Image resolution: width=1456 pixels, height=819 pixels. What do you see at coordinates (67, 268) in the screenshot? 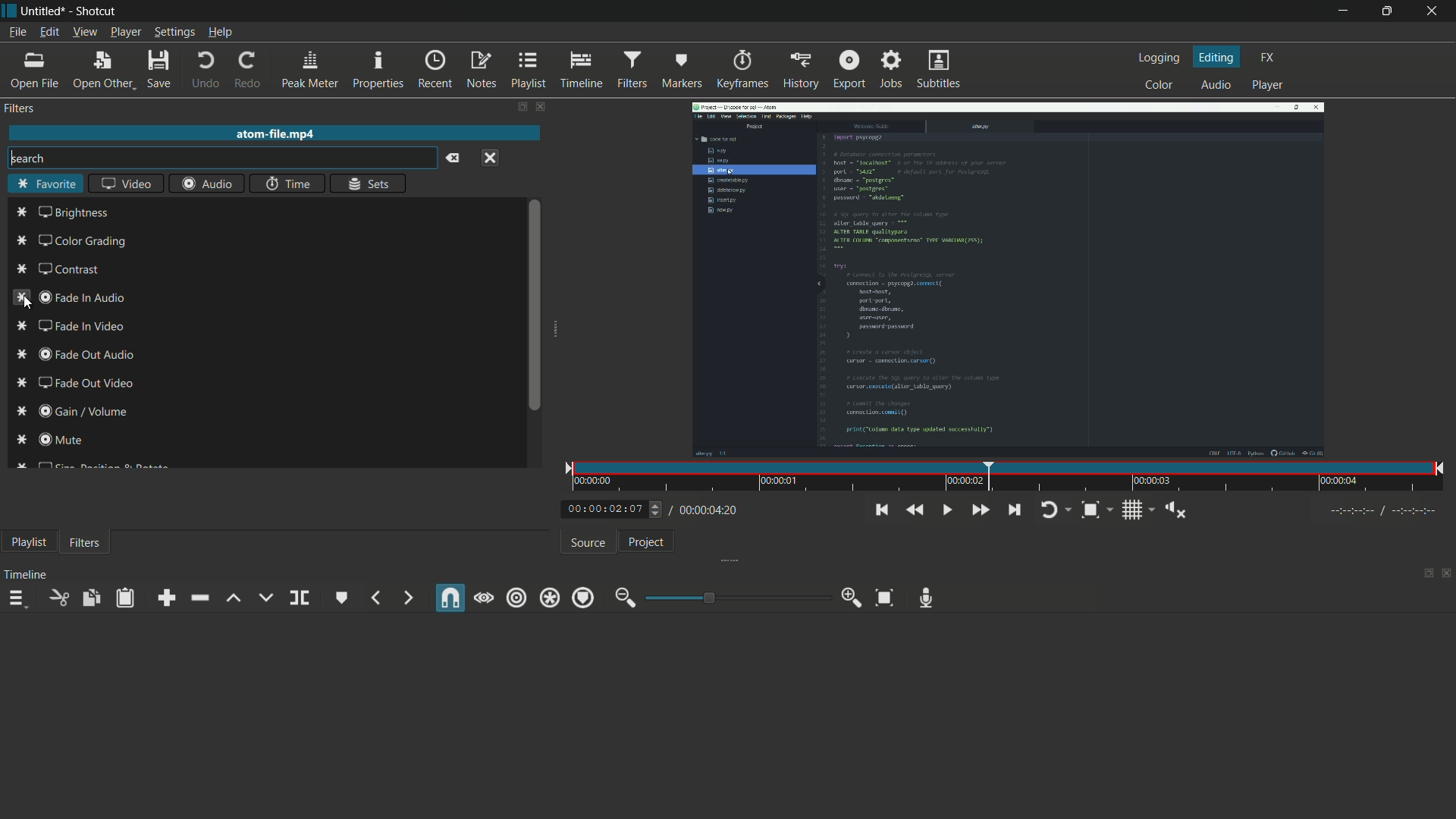
I see `contrast` at bounding box center [67, 268].